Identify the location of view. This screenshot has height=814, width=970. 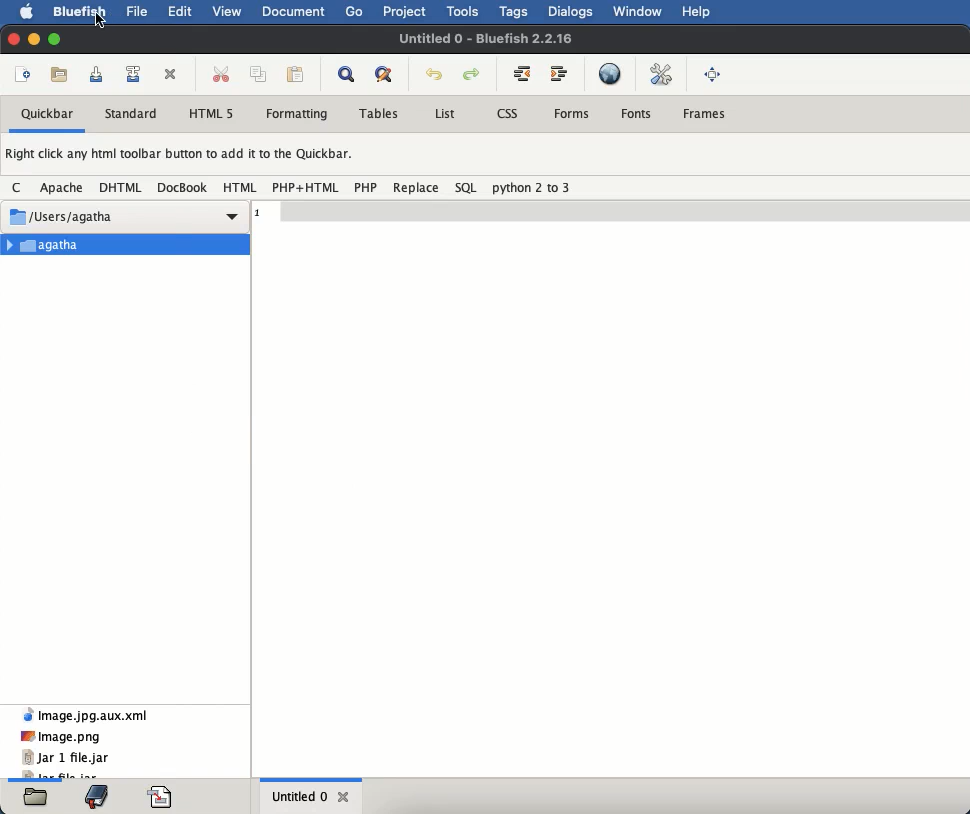
(230, 11).